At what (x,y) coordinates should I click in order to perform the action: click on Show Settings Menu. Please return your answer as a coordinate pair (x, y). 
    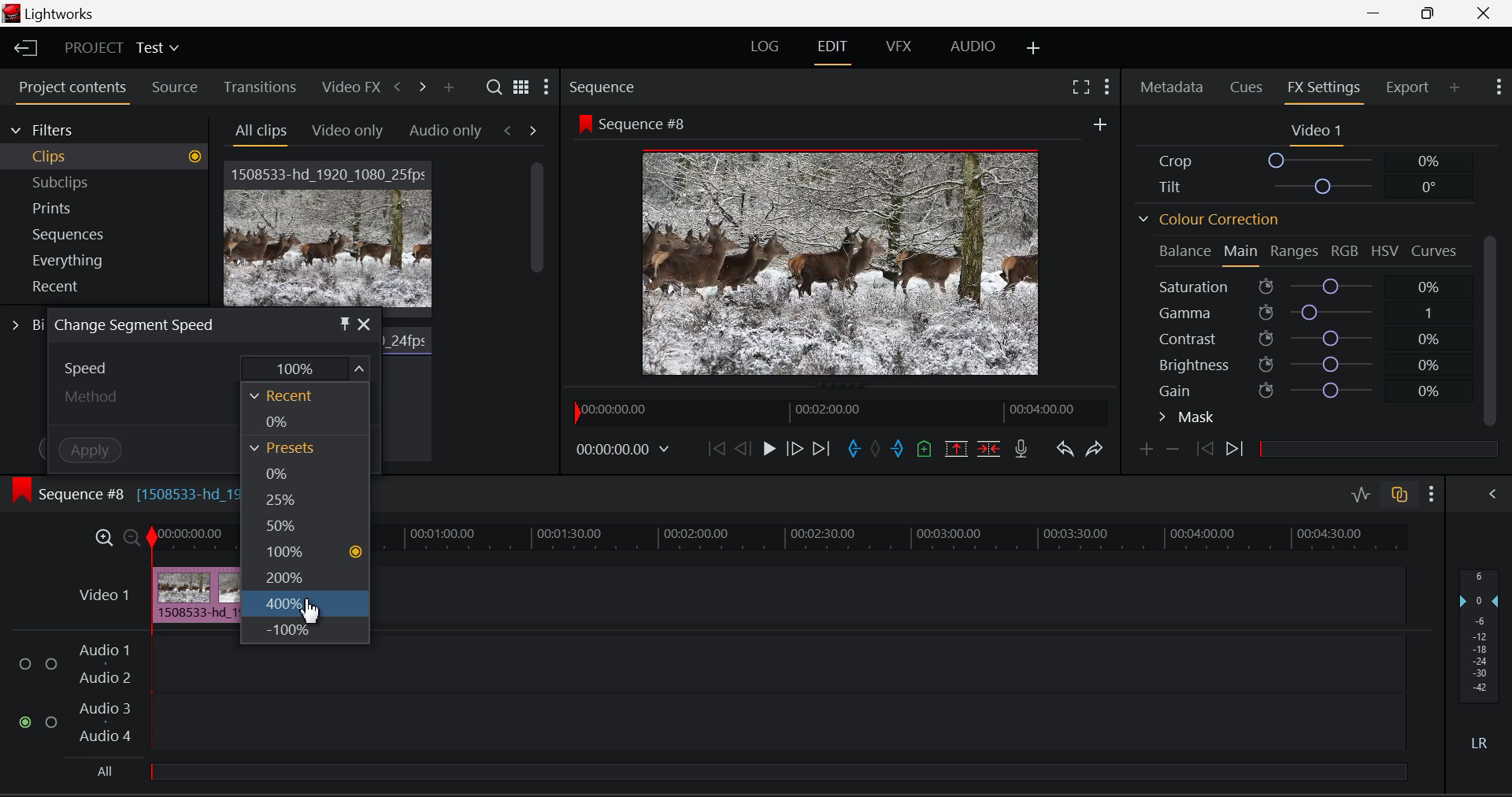
    Looking at the image, I should click on (1110, 90).